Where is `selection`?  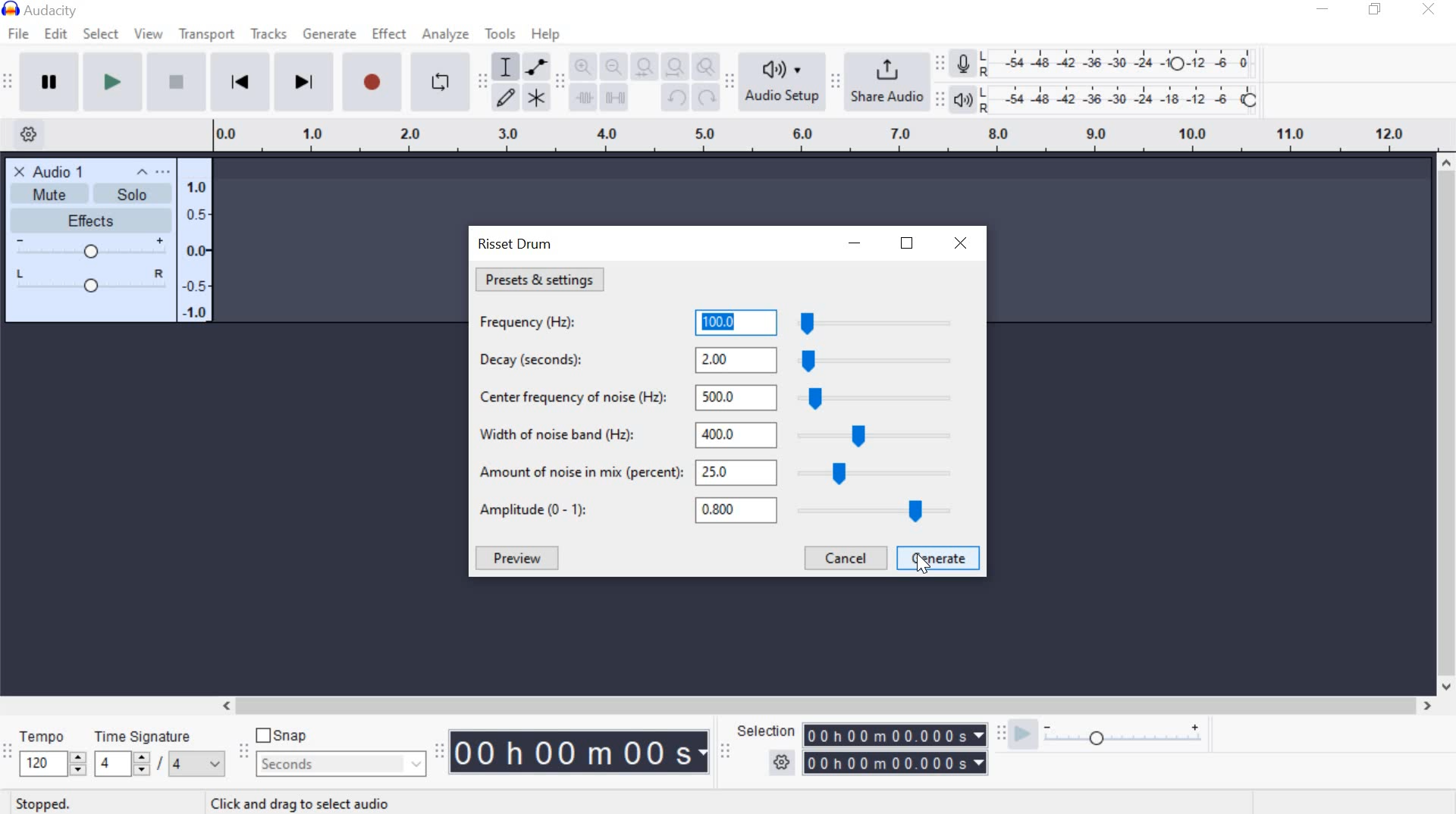
selection is located at coordinates (764, 731).